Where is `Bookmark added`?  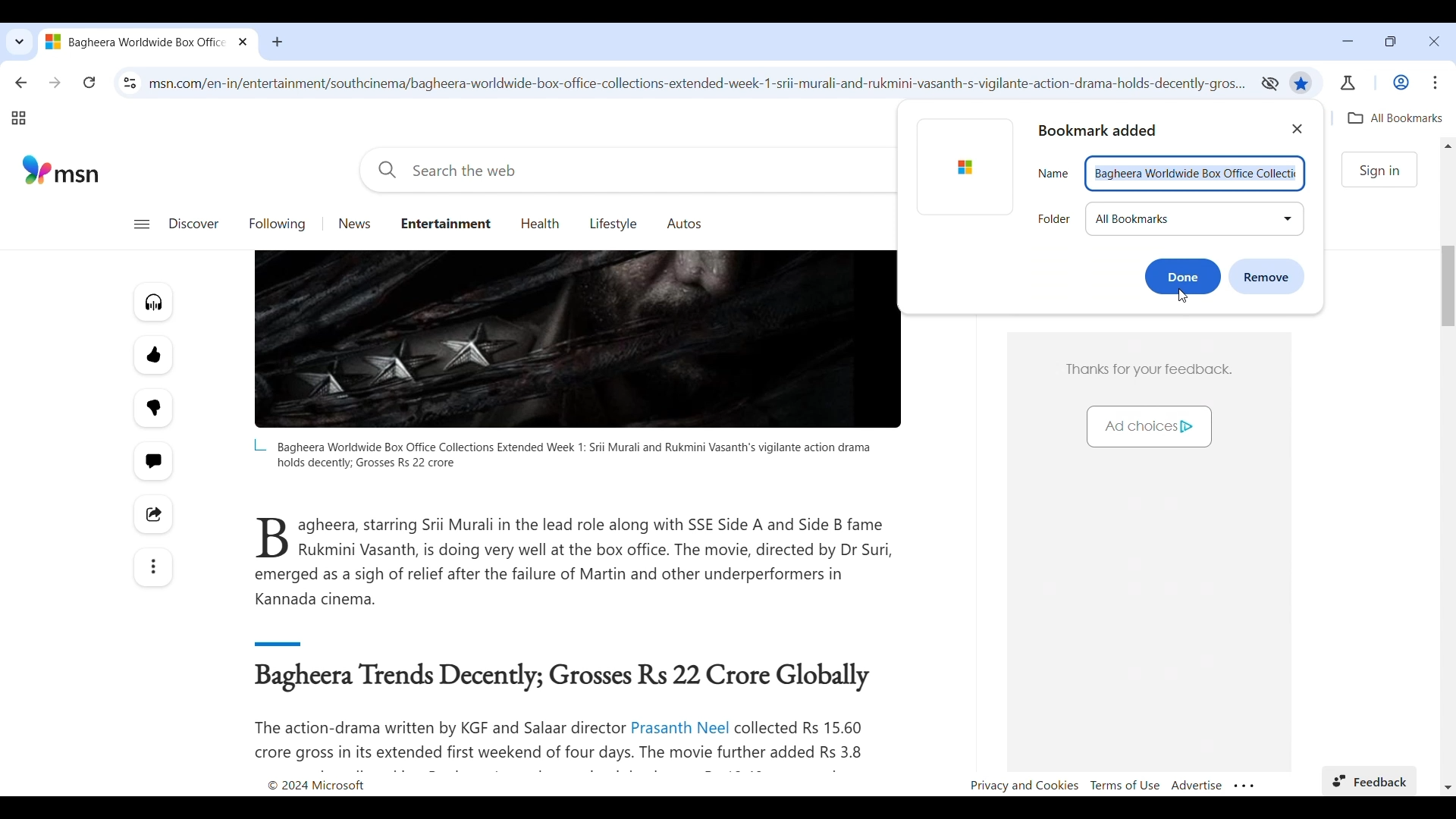
Bookmark added is located at coordinates (1107, 130).